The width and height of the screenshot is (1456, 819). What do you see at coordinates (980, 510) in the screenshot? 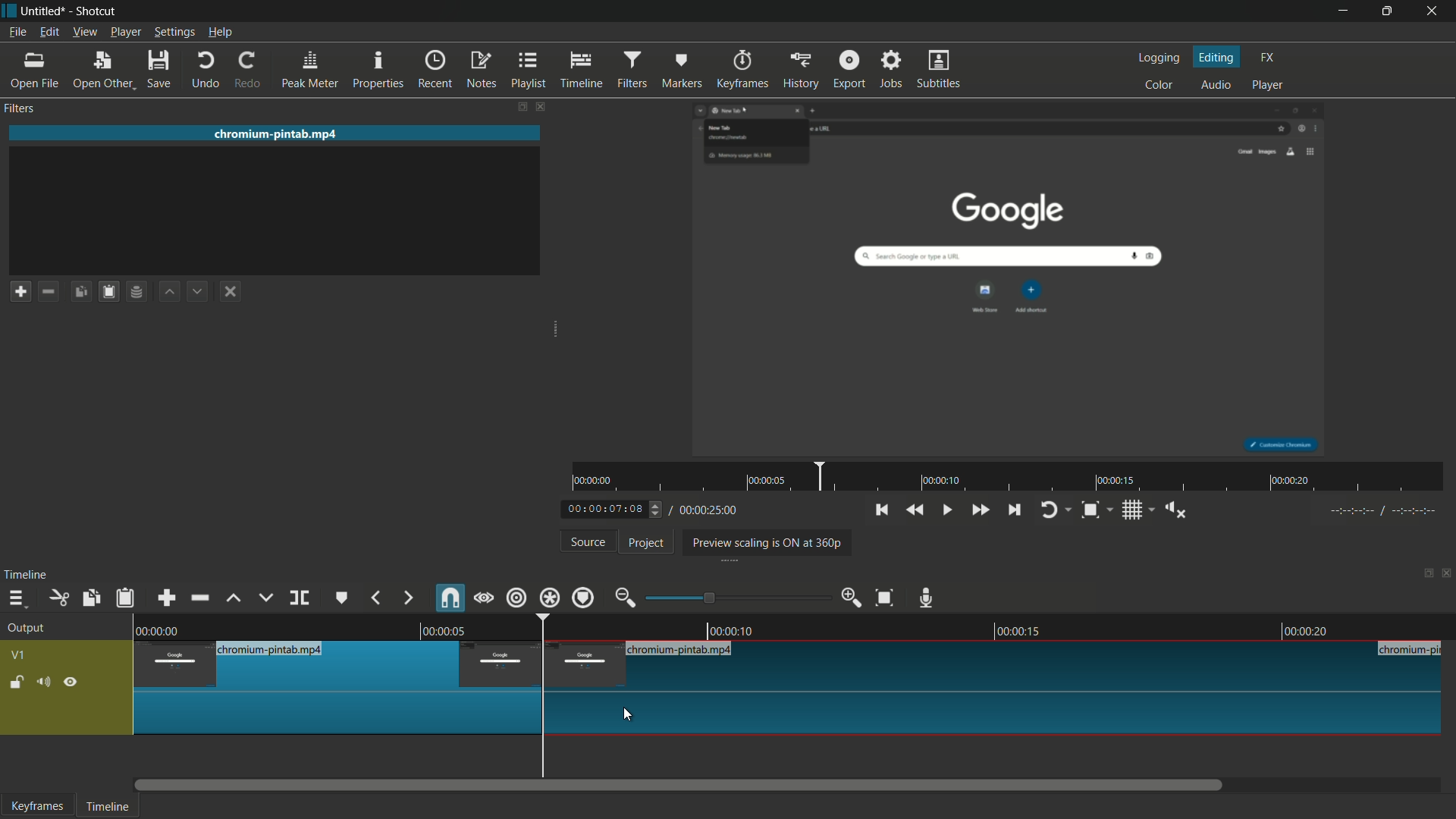
I see `quickly play forward` at bounding box center [980, 510].